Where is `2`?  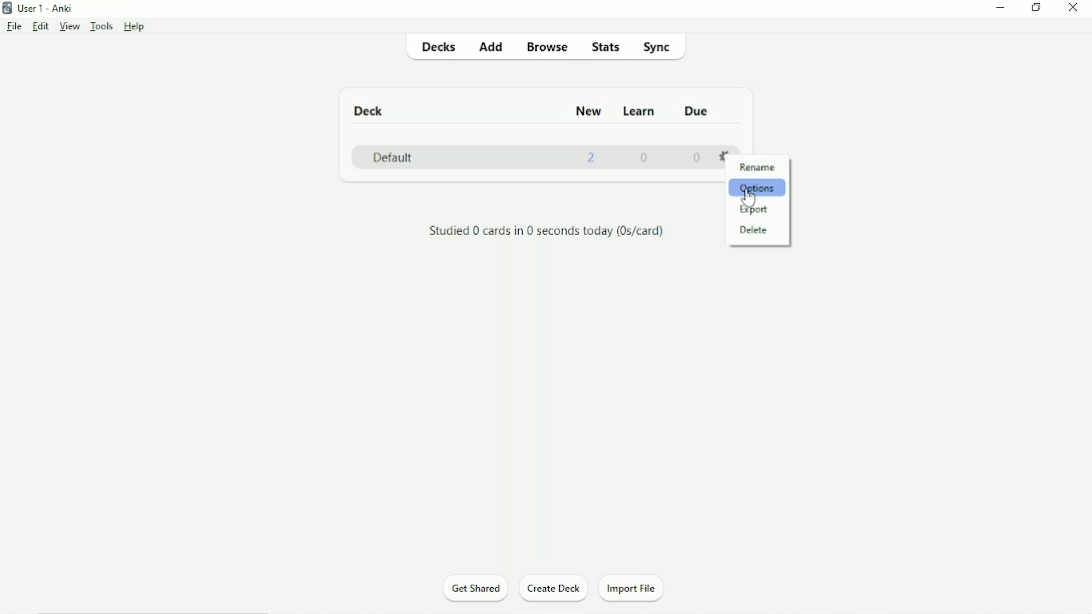
2 is located at coordinates (593, 158).